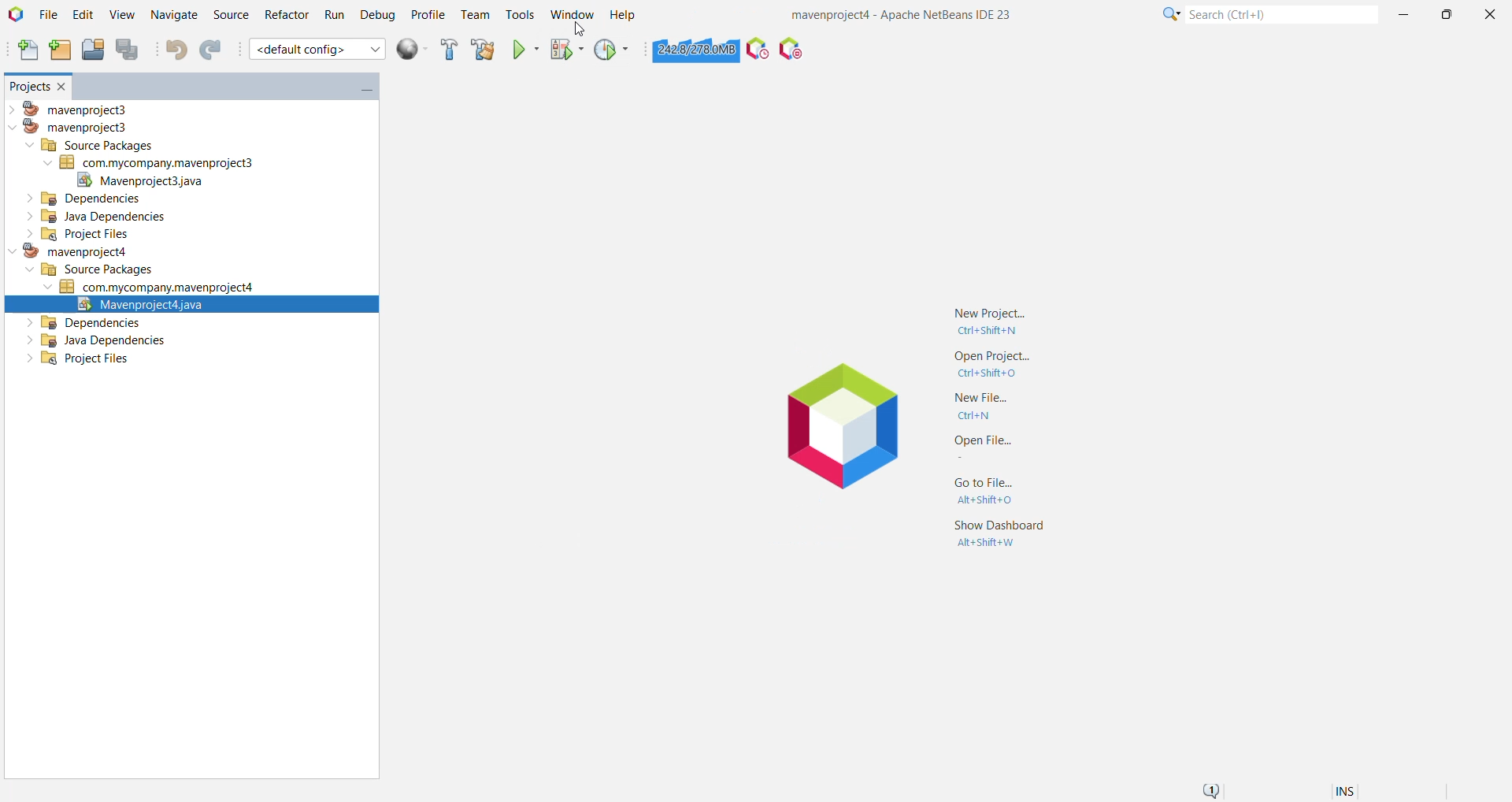 The height and width of the screenshot is (802, 1512). Describe the element at coordinates (176, 48) in the screenshot. I see `Undo` at that location.